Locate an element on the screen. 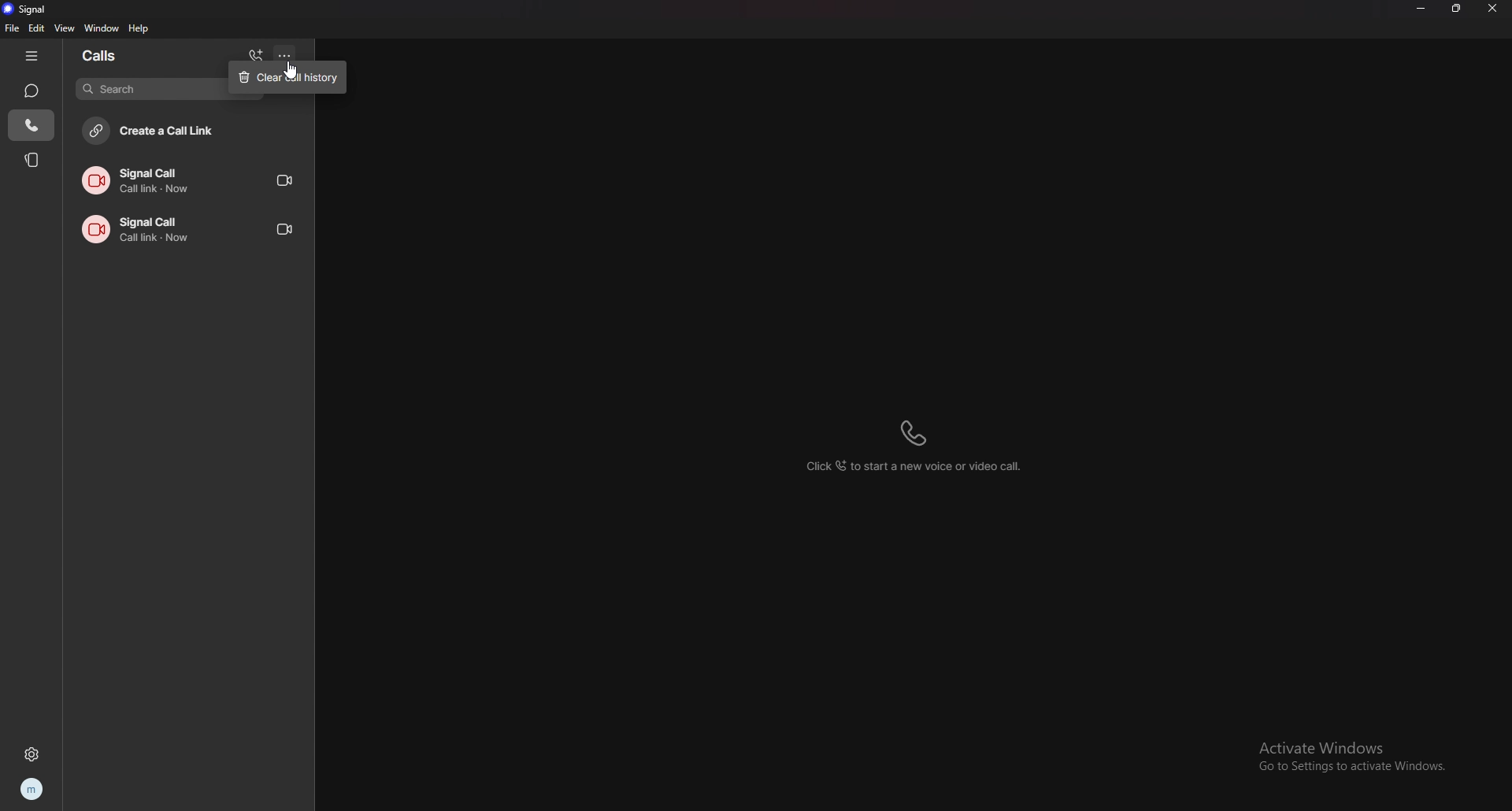 The height and width of the screenshot is (811, 1512). create call link is located at coordinates (186, 133).